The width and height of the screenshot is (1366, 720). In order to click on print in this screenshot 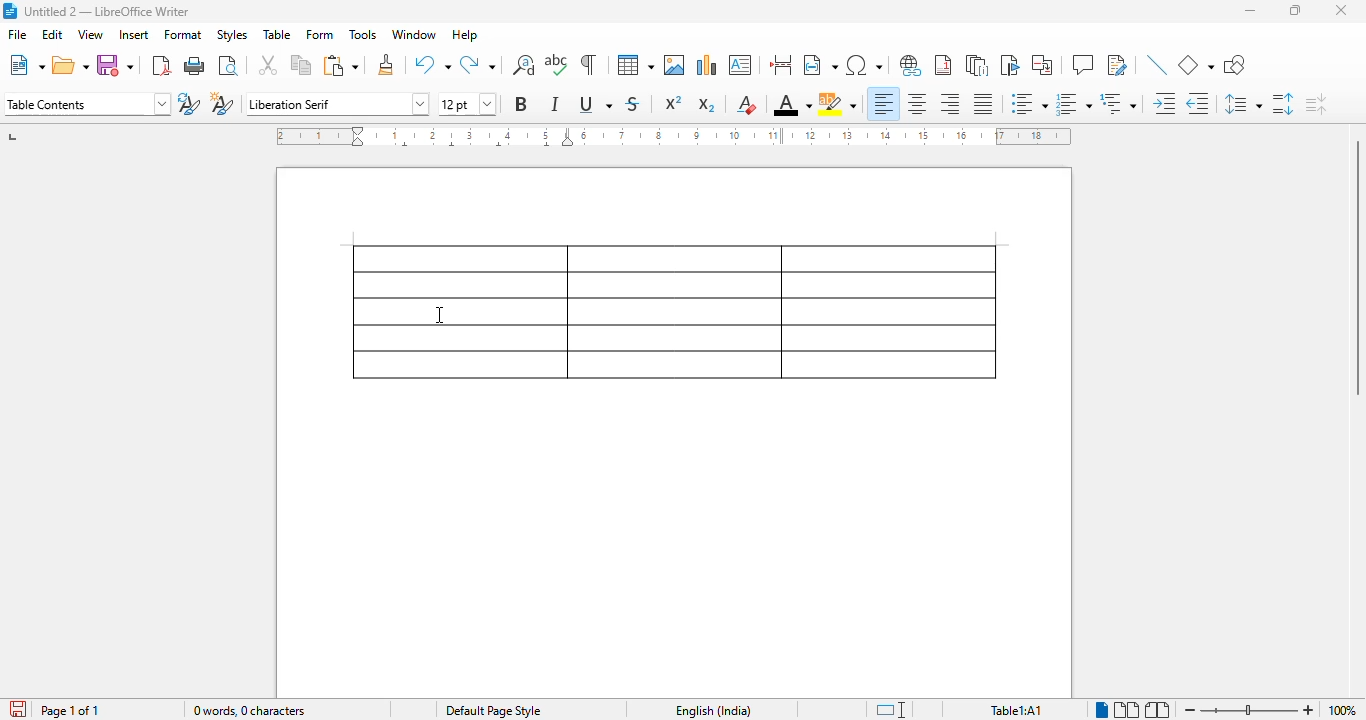, I will do `click(196, 66)`.